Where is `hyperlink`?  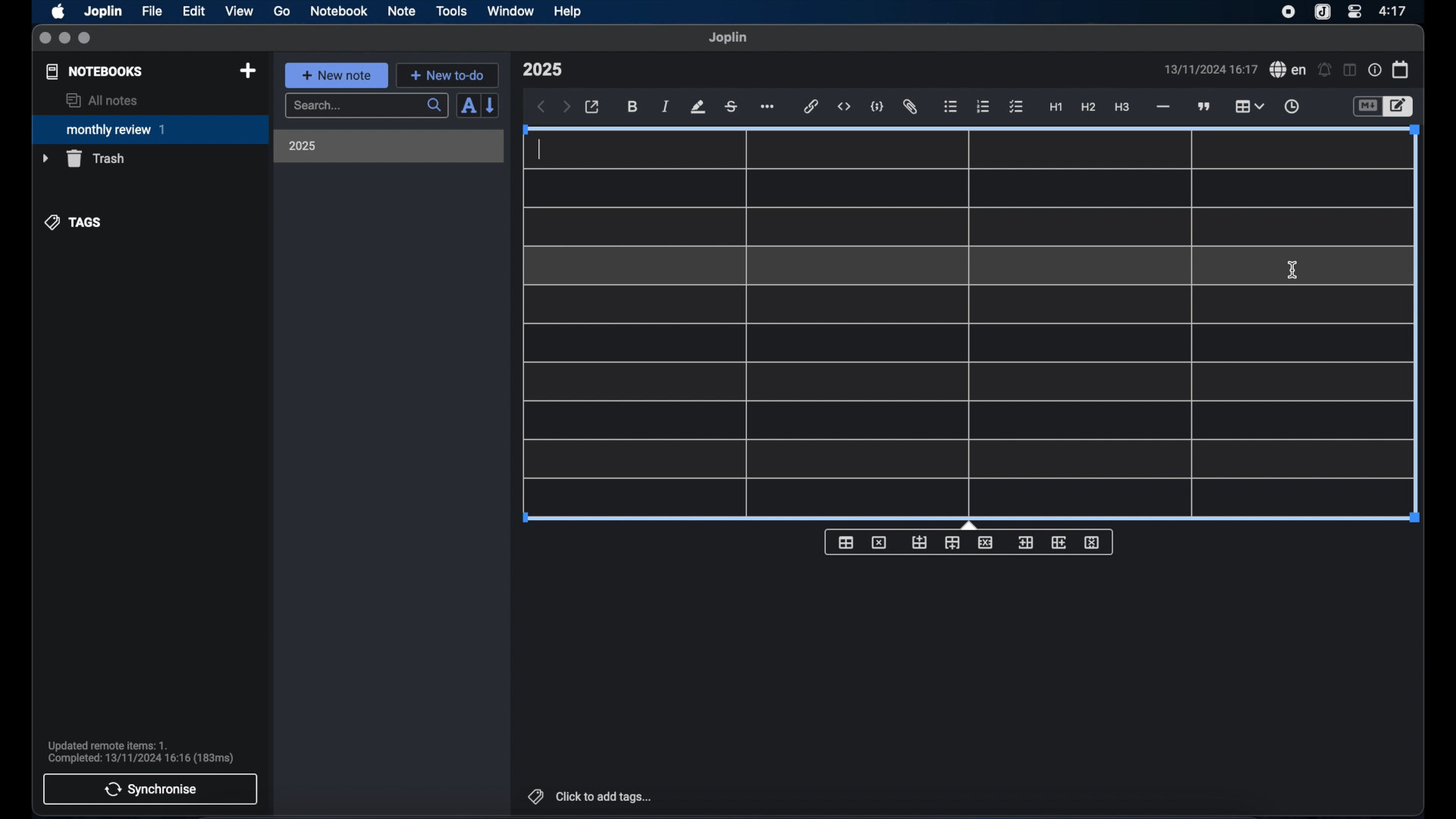
hyperlink is located at coordinates (811, 106).